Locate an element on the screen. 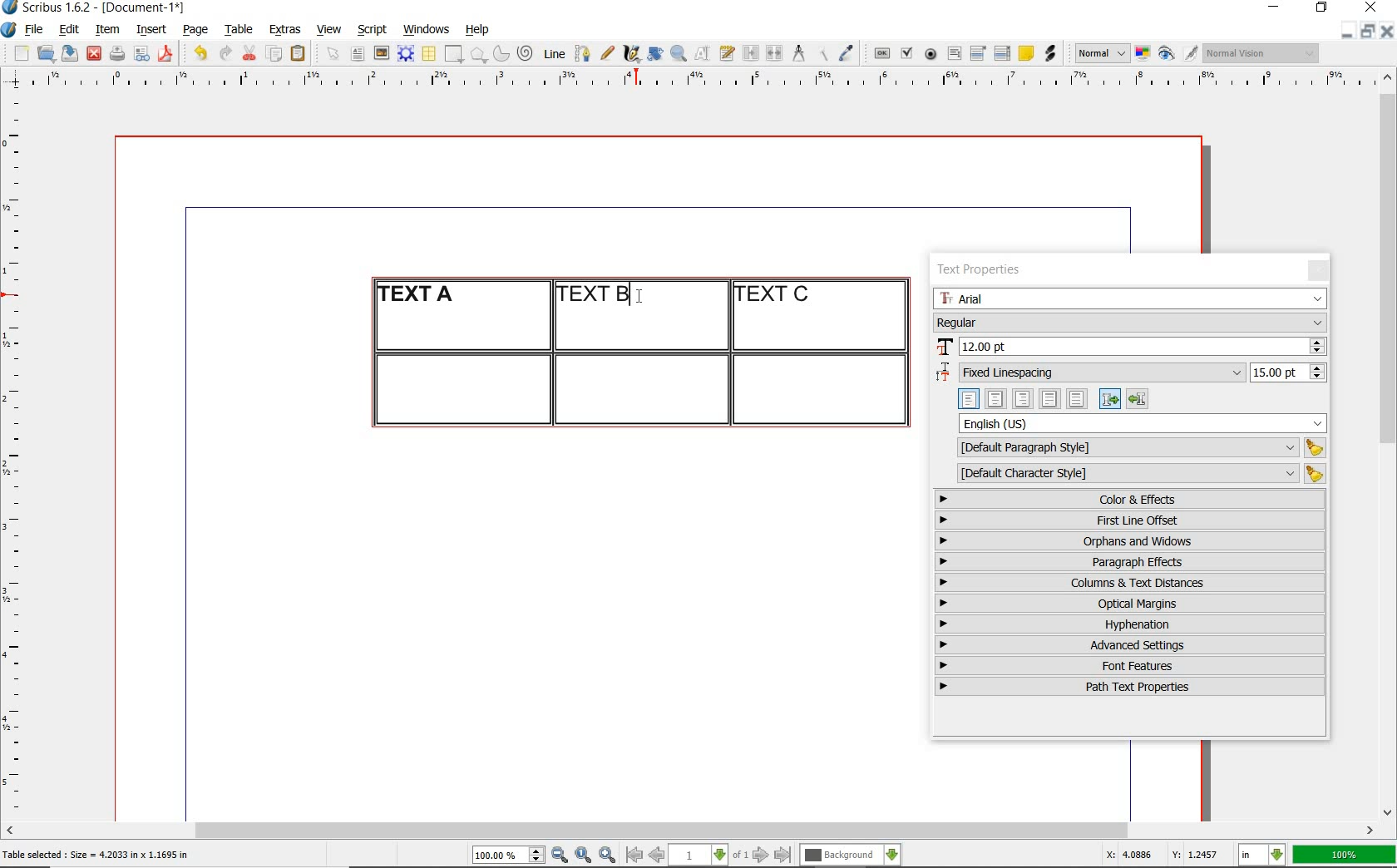  paste is located at coordinates (301, 54).